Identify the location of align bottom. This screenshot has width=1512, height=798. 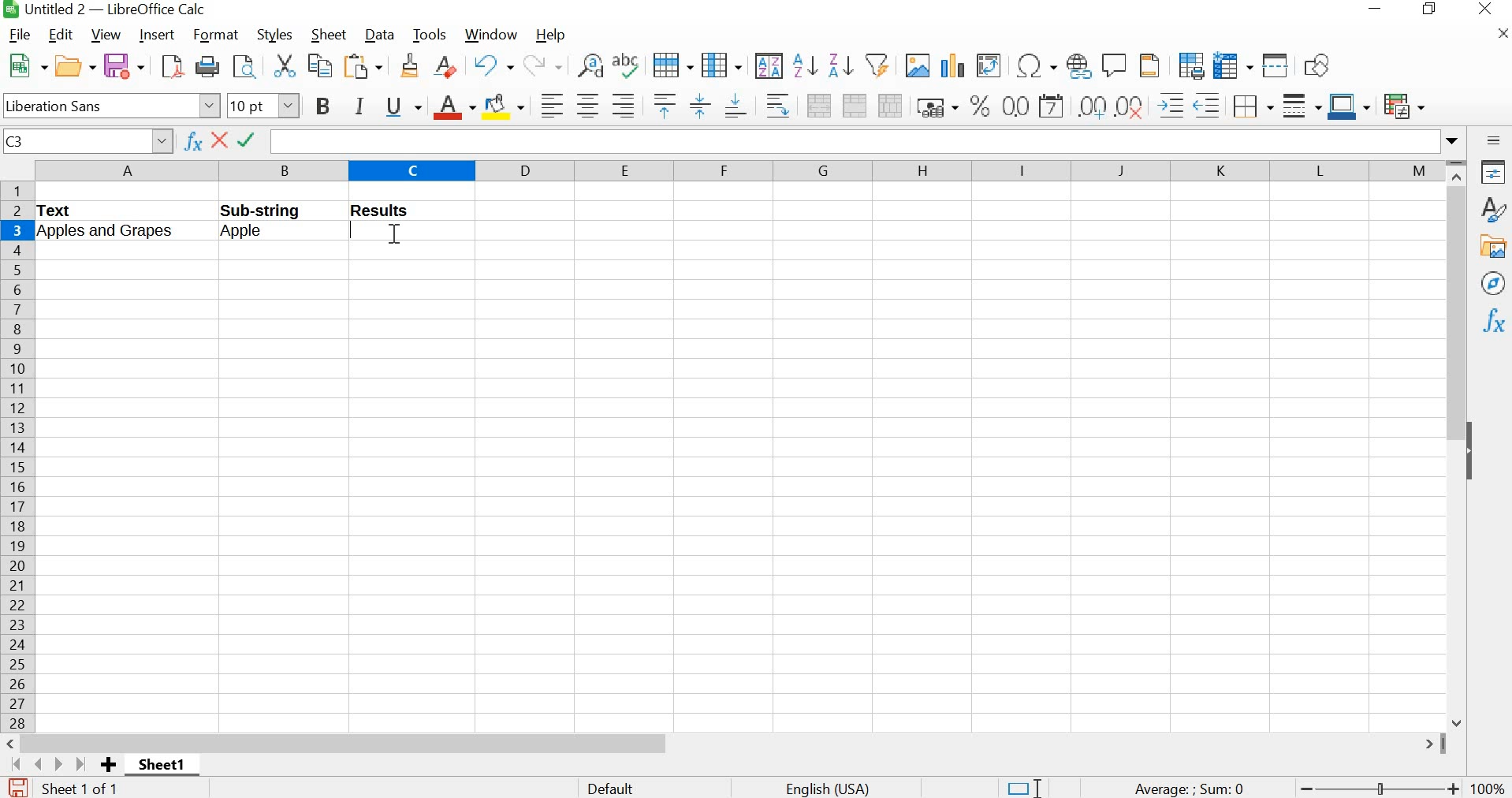
(735, 104).